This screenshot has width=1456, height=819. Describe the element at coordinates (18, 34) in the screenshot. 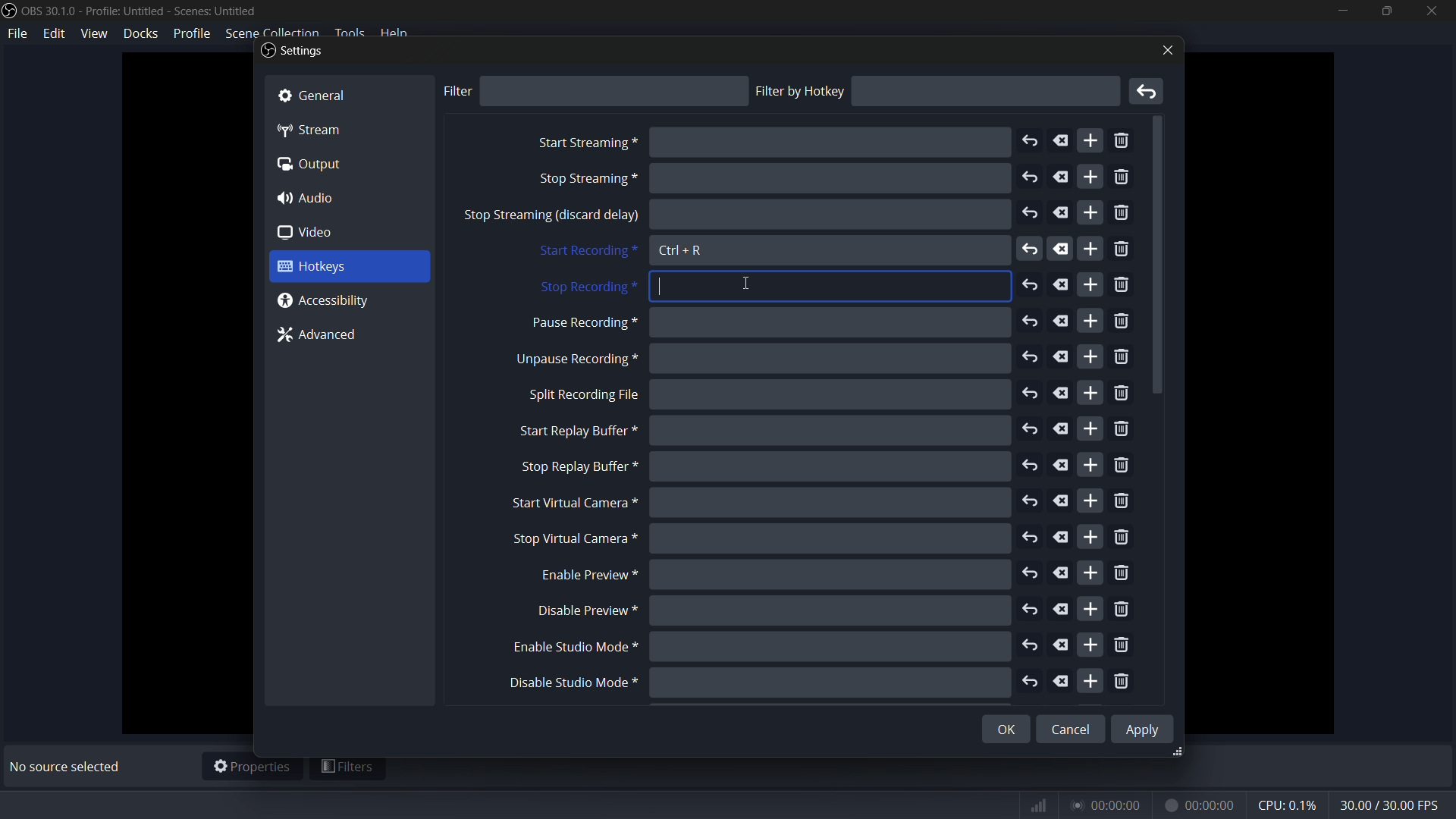

I see `file menu` at that location.